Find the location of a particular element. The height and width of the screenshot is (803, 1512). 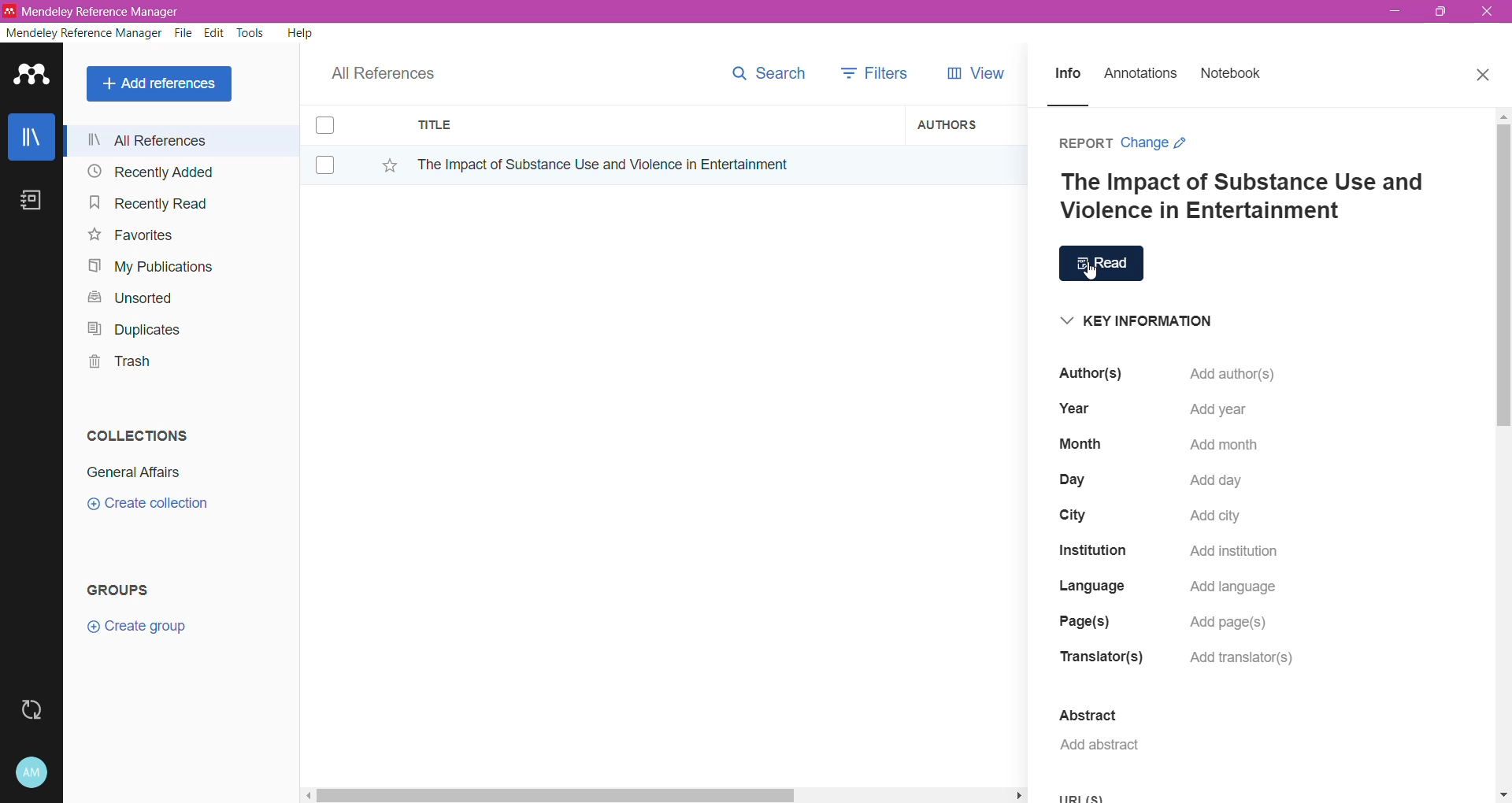

Recently Read is located at coordinates (145, 202).